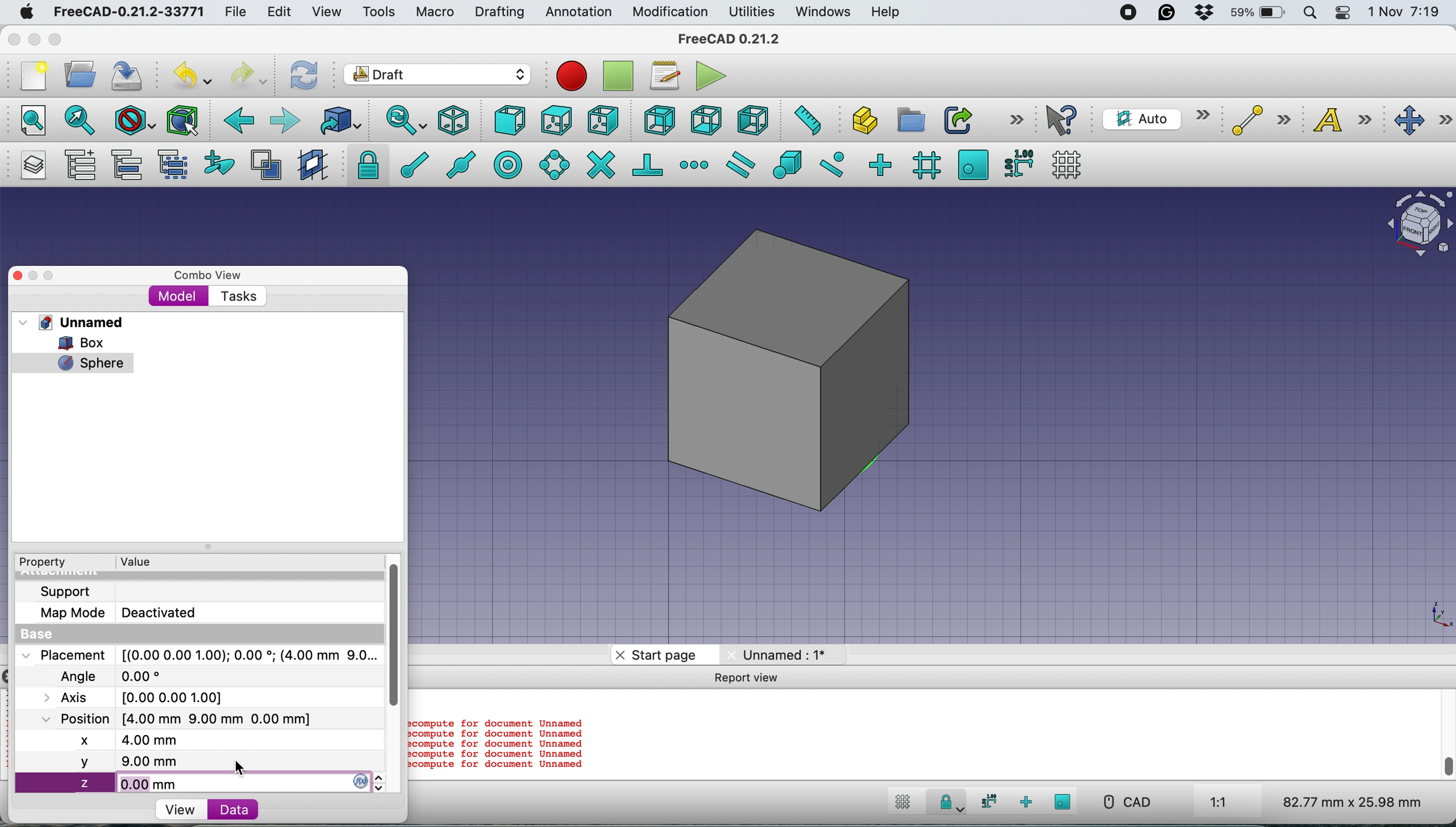  What do you see at coordinates (249, 74) in the screenshot?
I see `redo` at bounding box center [249, 74].